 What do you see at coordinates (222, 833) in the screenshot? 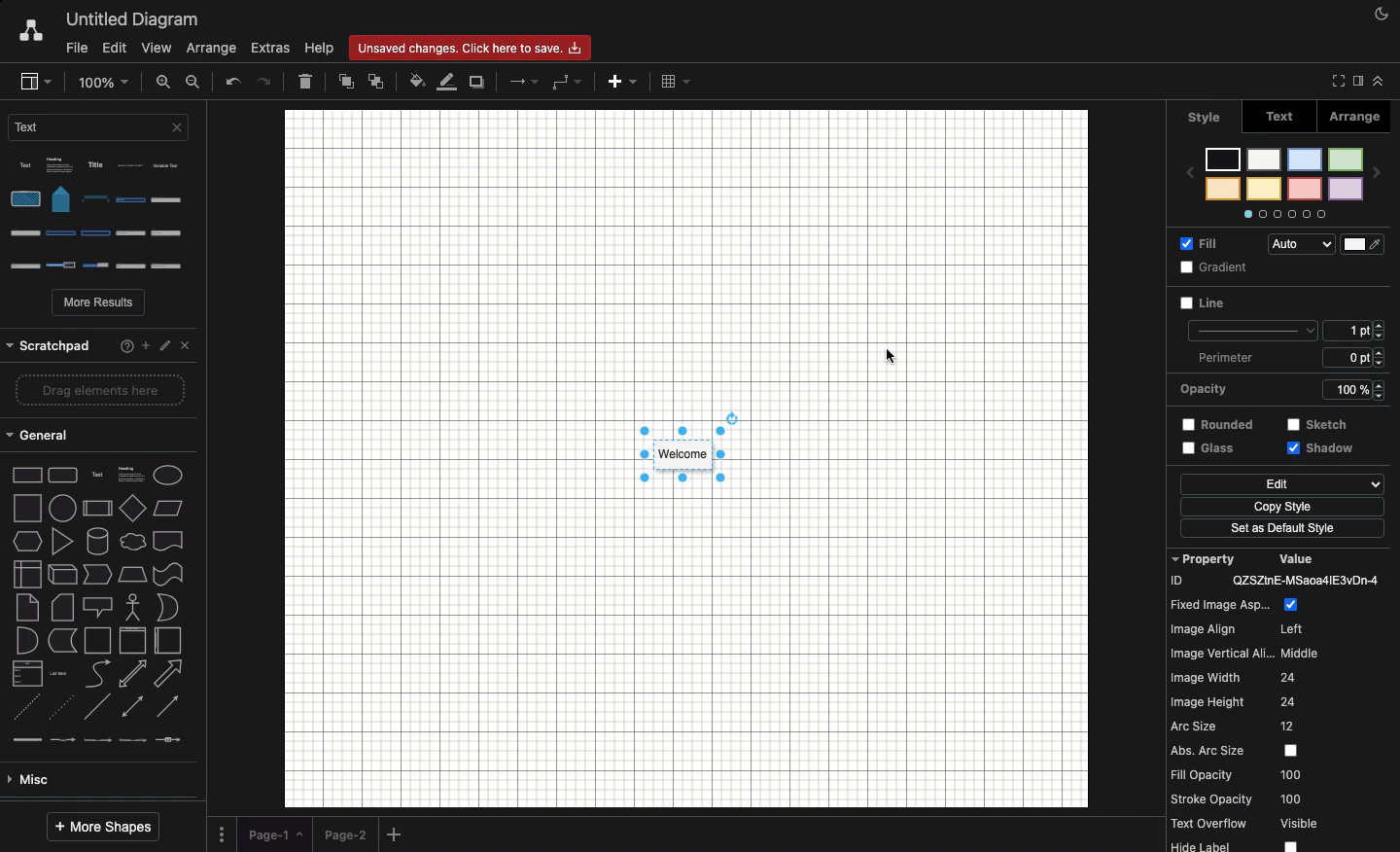
I see `Options` at bounding box center [222, 833].